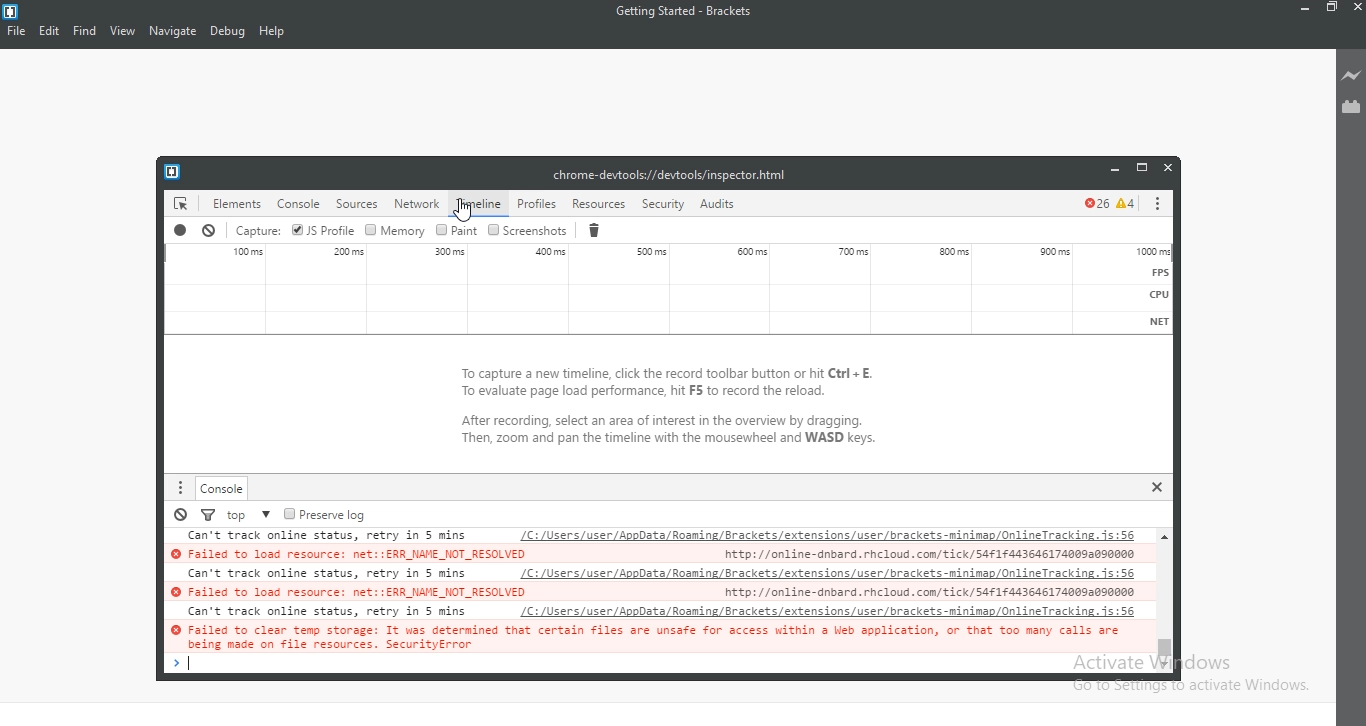  Describe the element at coordinates (662, 406) in the screenshot. I see `To capture a new timeline, click the record toolbar button or hit Ctrl + E.
To evaluate page load performance, hit F5 to record the reload.

After recording, select an area of interest in the overview by dragging.
Then, zoom and pan the timeline with the mousewheel and WASD keys.` at that location.